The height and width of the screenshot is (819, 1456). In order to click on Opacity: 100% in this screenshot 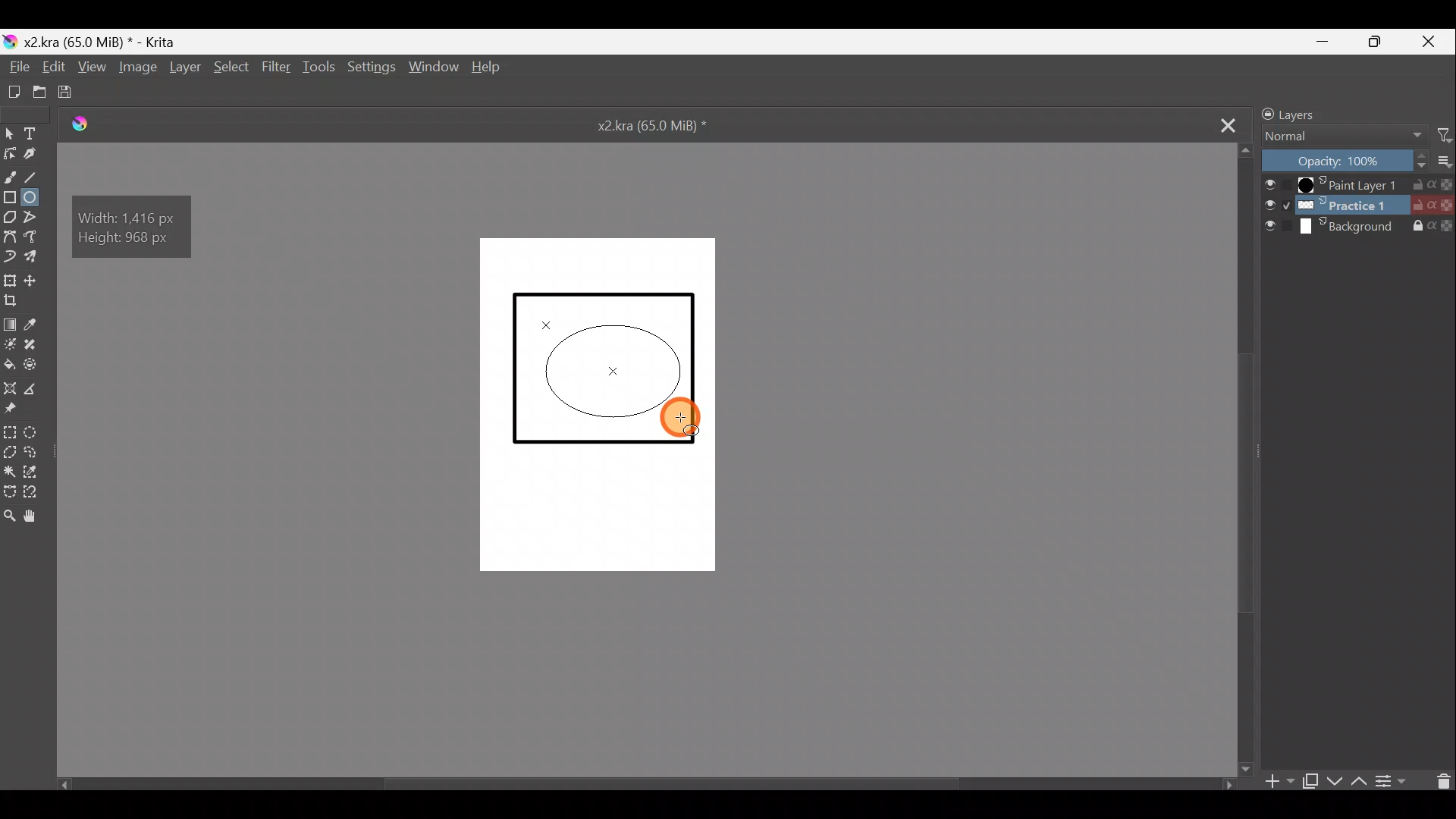, I will do `click(1339, 160)`.